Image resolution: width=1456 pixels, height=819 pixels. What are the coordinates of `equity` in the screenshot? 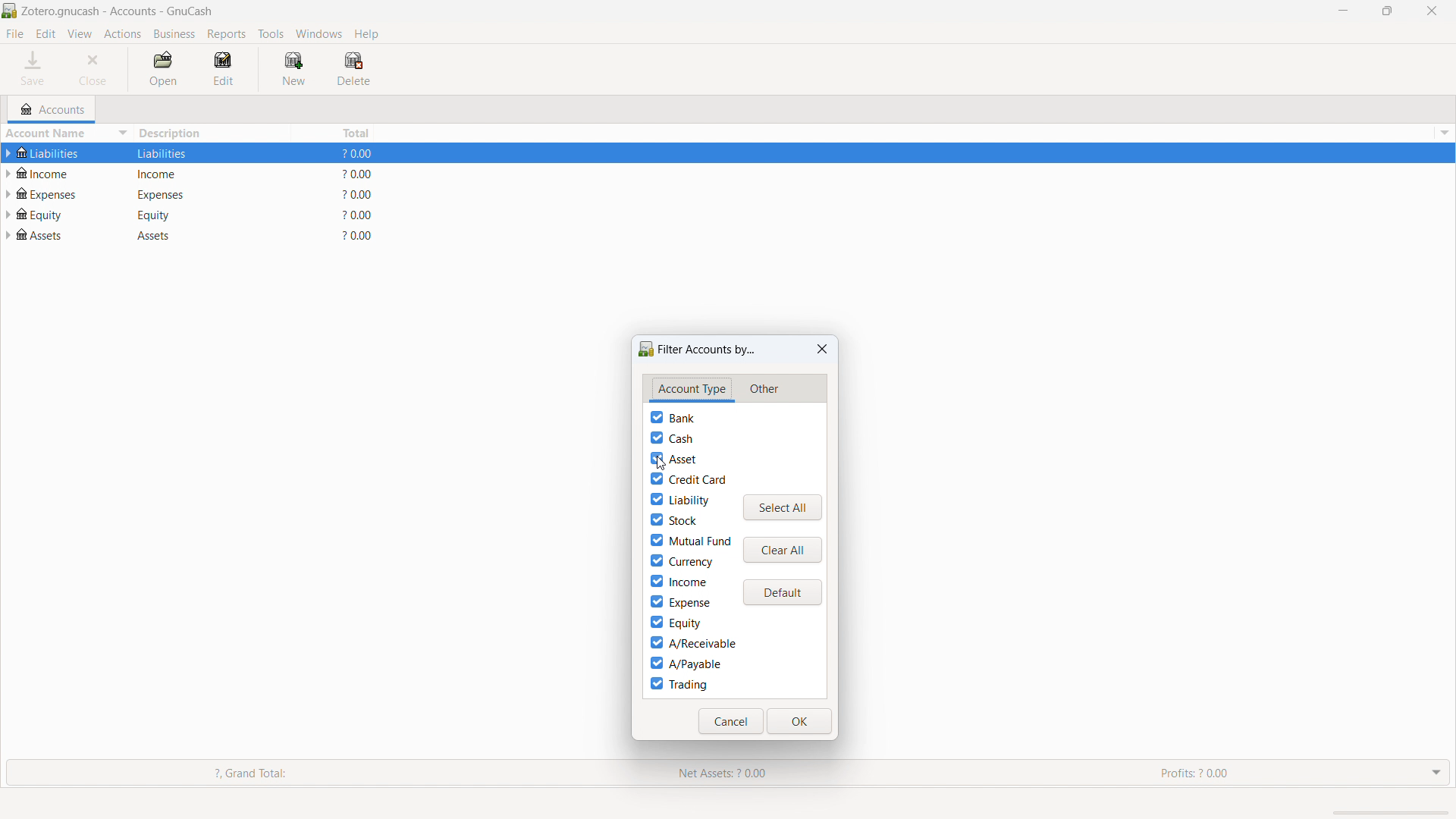 It's located at (52, 213).